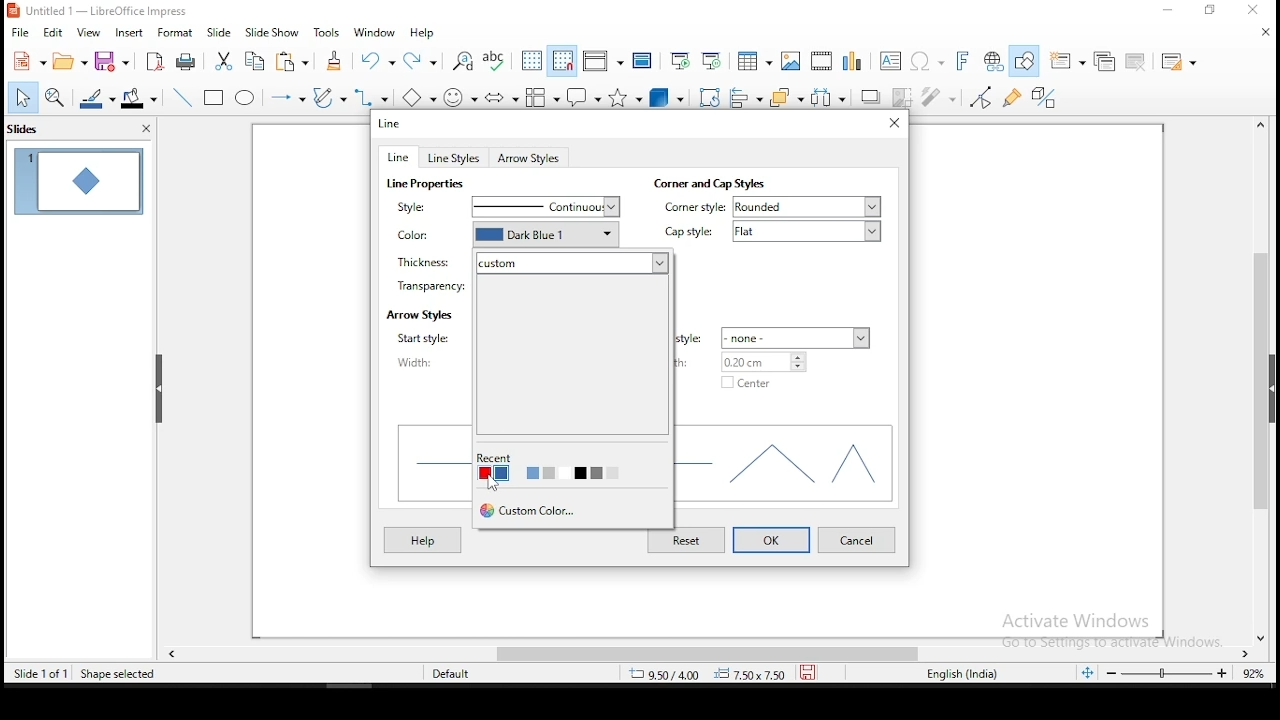 This screenshot has height=720, width=1280. Describe the element at coordinates (500, 473) in the screenshot. I see `color option` at that location.